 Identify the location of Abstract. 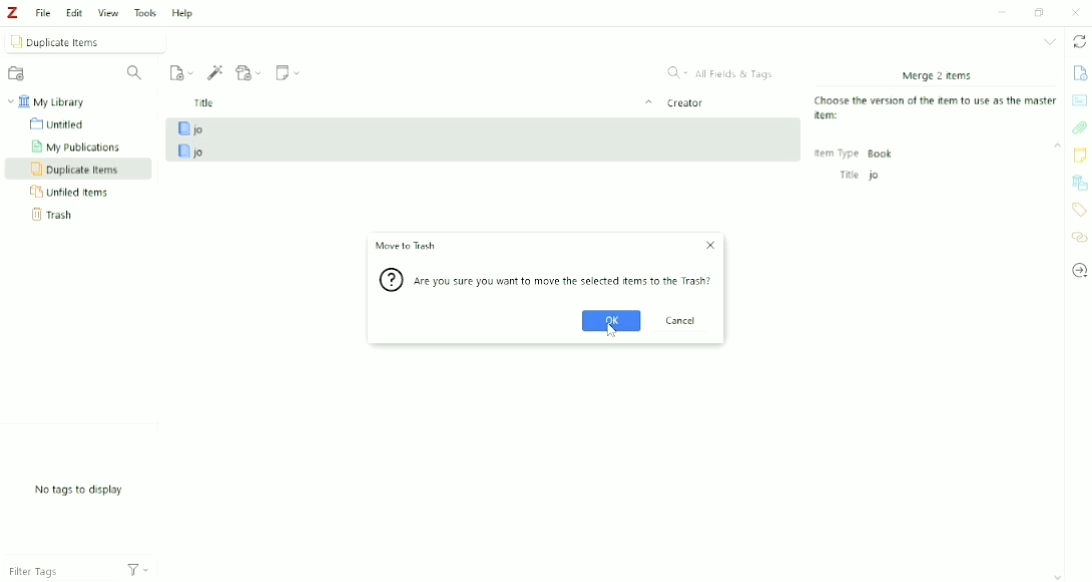
(1080, 100).